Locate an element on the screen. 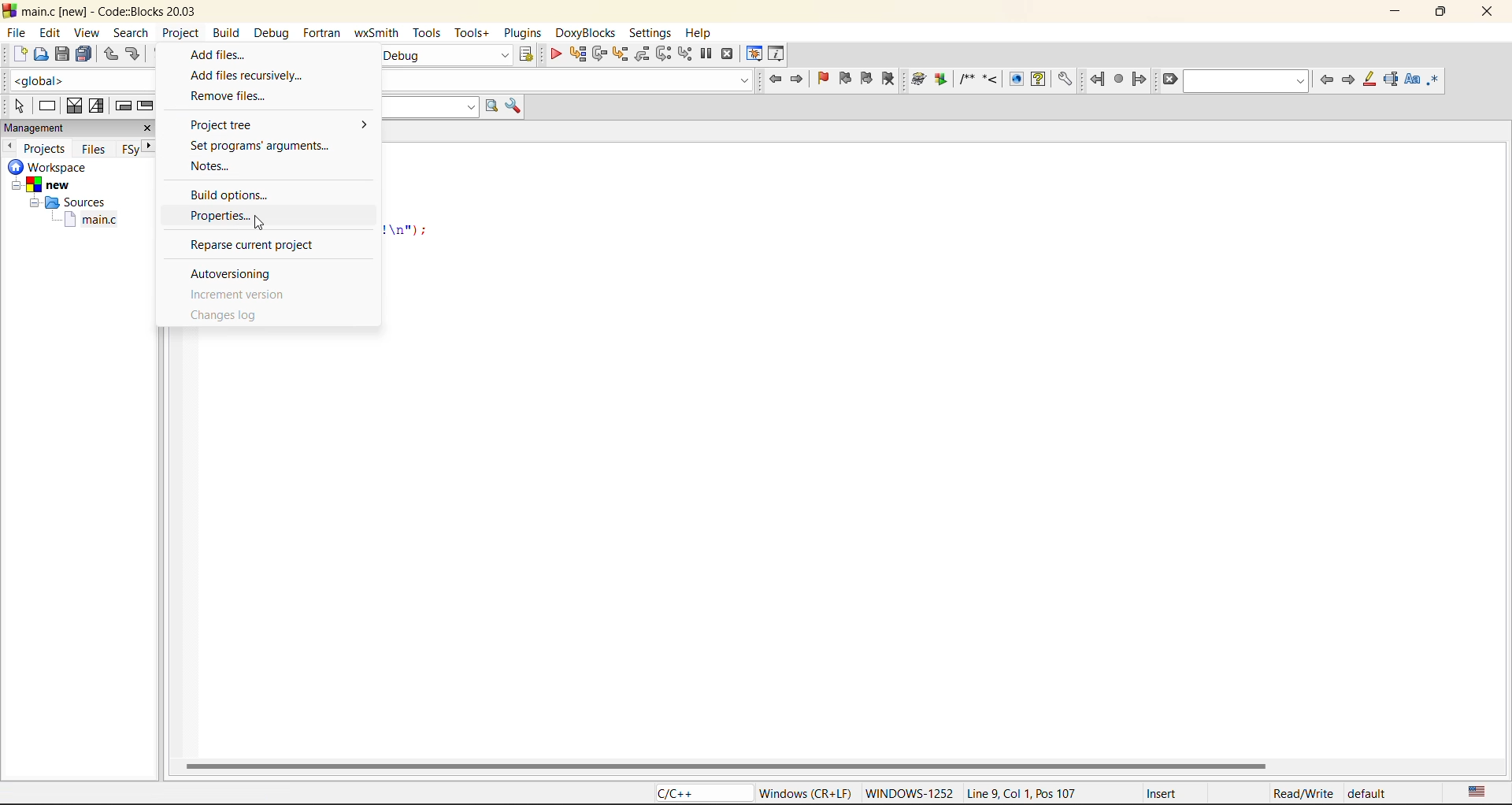 The height and width of the screenshot is (805, 1512). View generated HTML documentation is located at coordinates (1016, 79).